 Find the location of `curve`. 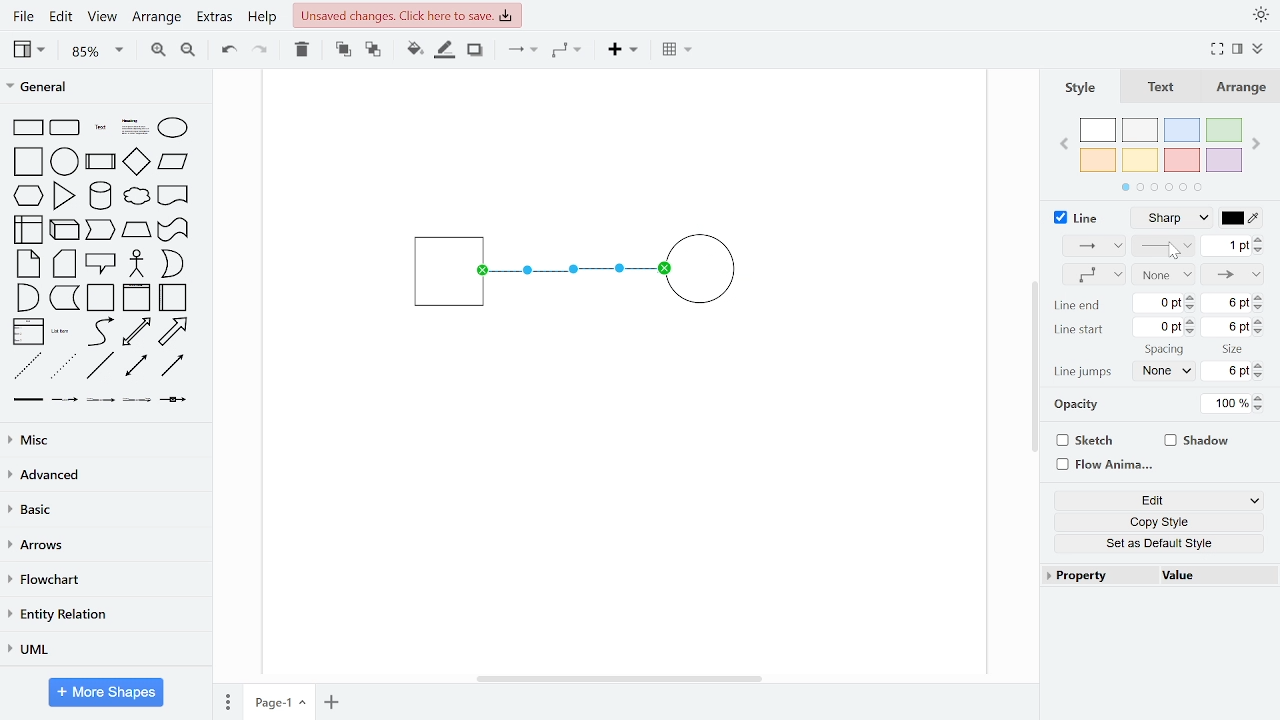

curve is located at coordinates (101, 331).